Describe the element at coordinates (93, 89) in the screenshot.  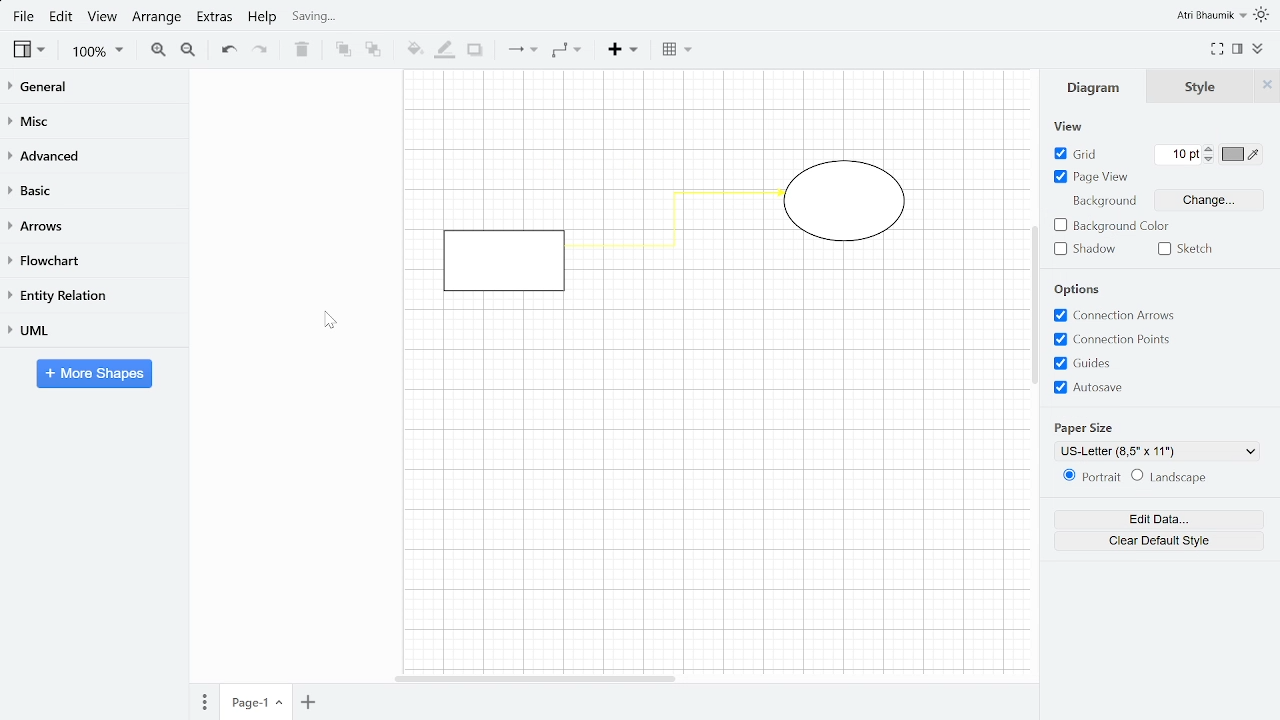
I see `General` at that location.